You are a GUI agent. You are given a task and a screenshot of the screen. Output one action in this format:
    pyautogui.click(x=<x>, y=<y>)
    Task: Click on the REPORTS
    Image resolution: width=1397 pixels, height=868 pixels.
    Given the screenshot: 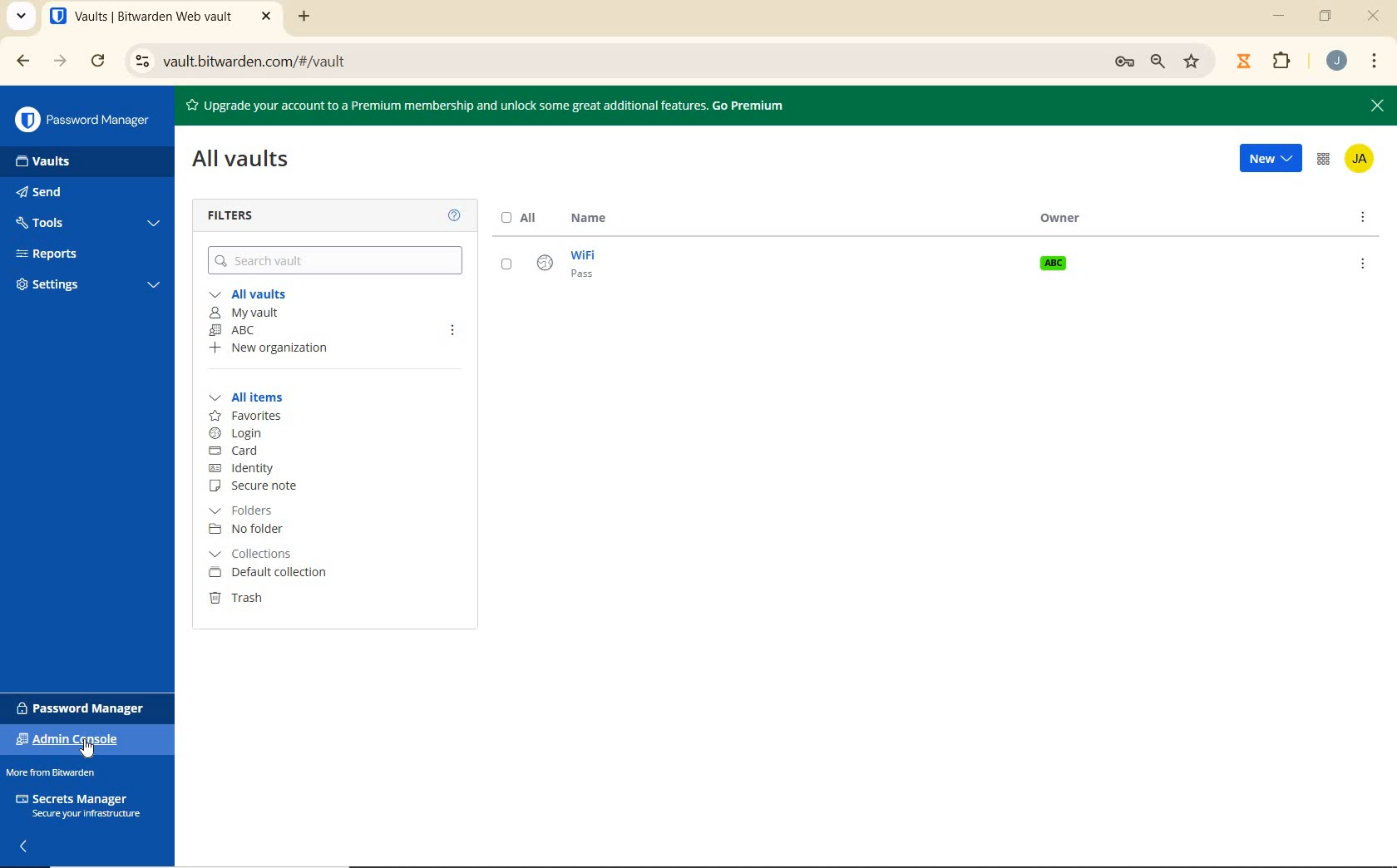 What is the action you would take?
    pyautogui.click(x=66, y=254)
    